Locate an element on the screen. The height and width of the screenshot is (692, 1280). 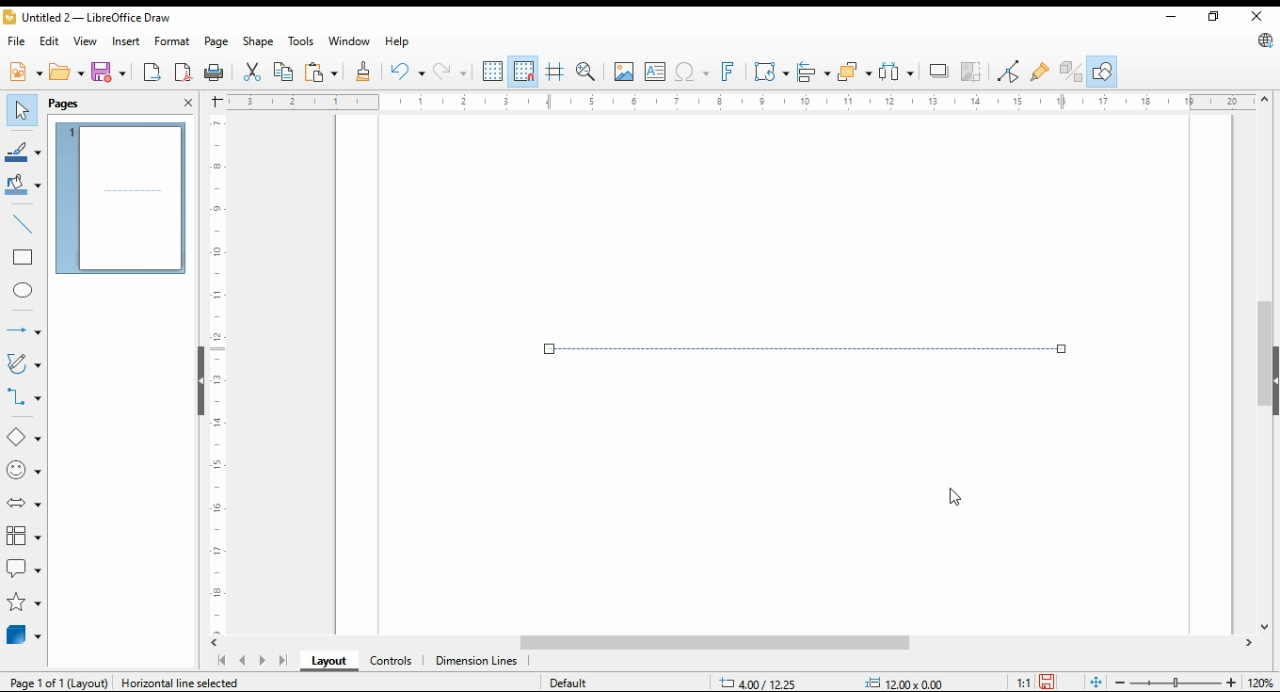
3D objects is located at coordinates (25, 634).